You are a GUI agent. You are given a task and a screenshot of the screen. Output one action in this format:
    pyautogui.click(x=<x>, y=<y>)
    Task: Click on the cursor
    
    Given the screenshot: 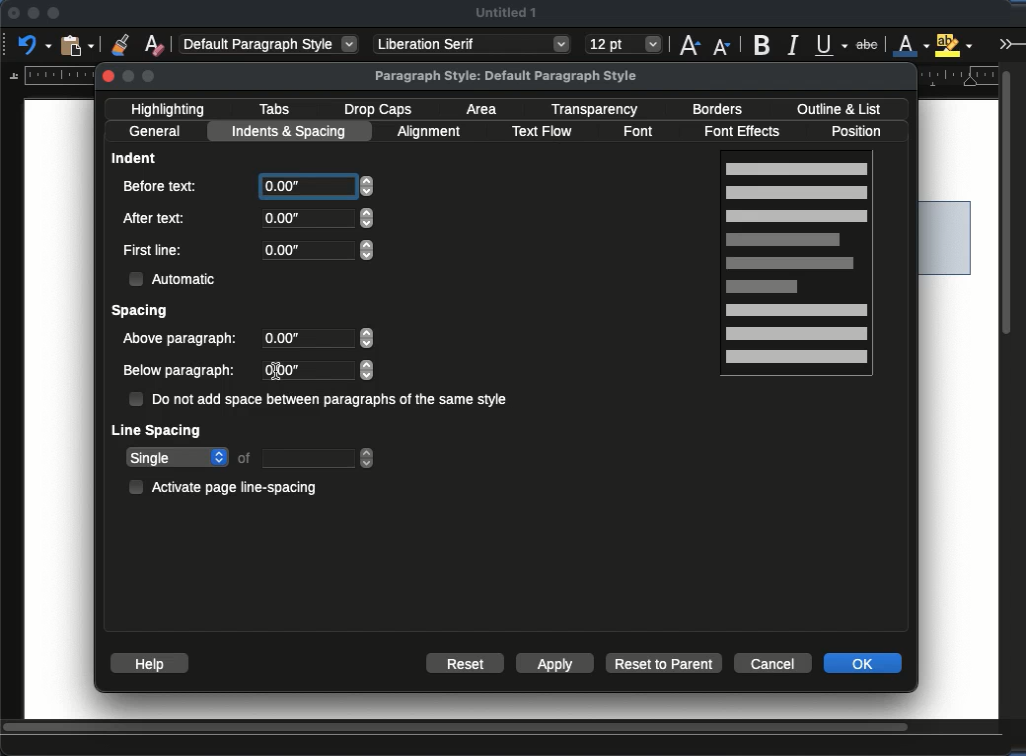 What is the action you would take?
    pyautogui.click(x=278, y=371)
    